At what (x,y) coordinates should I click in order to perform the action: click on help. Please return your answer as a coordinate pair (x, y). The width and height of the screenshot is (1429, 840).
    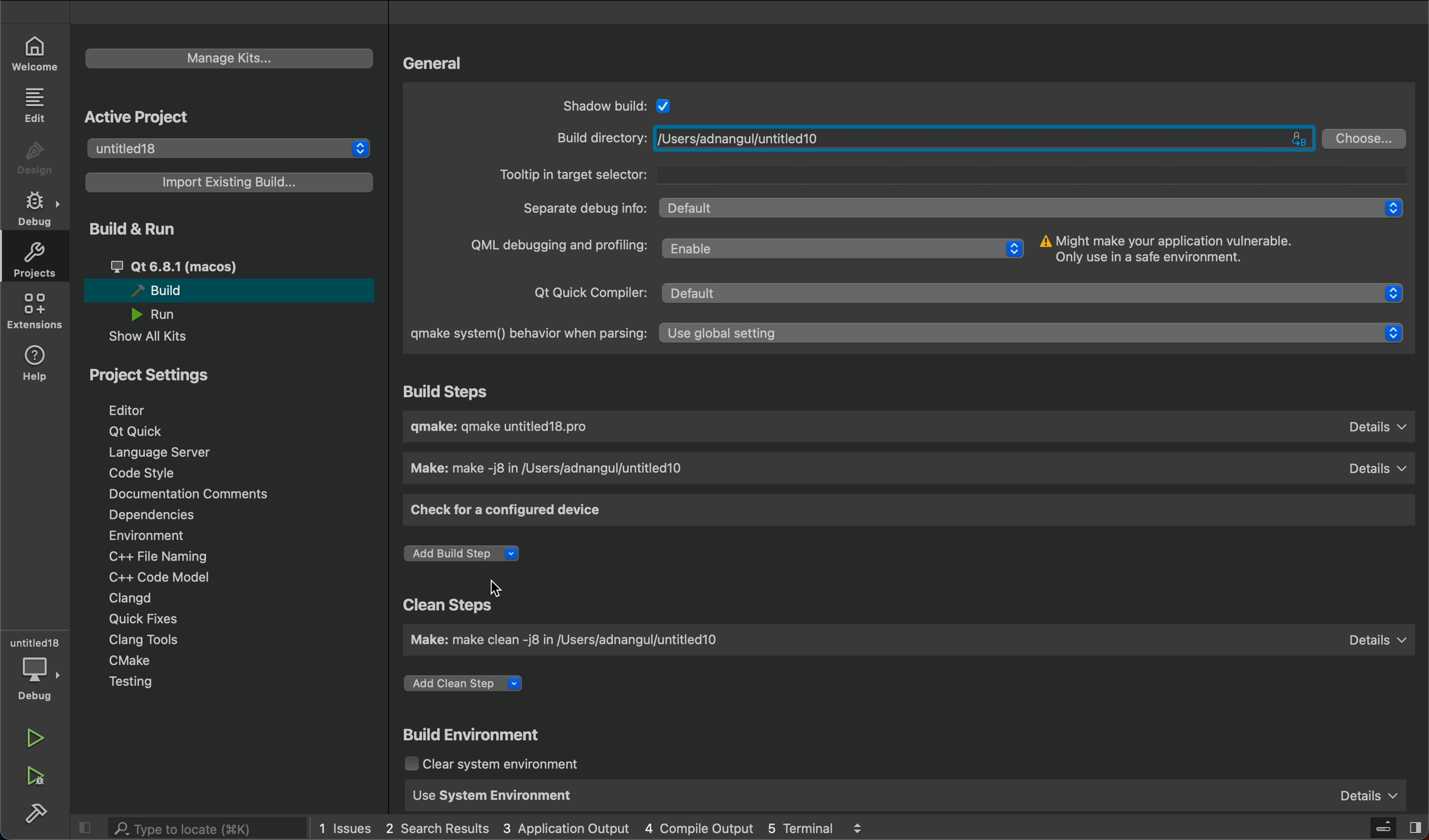
    Looking at the image, I should click on (37, 360).